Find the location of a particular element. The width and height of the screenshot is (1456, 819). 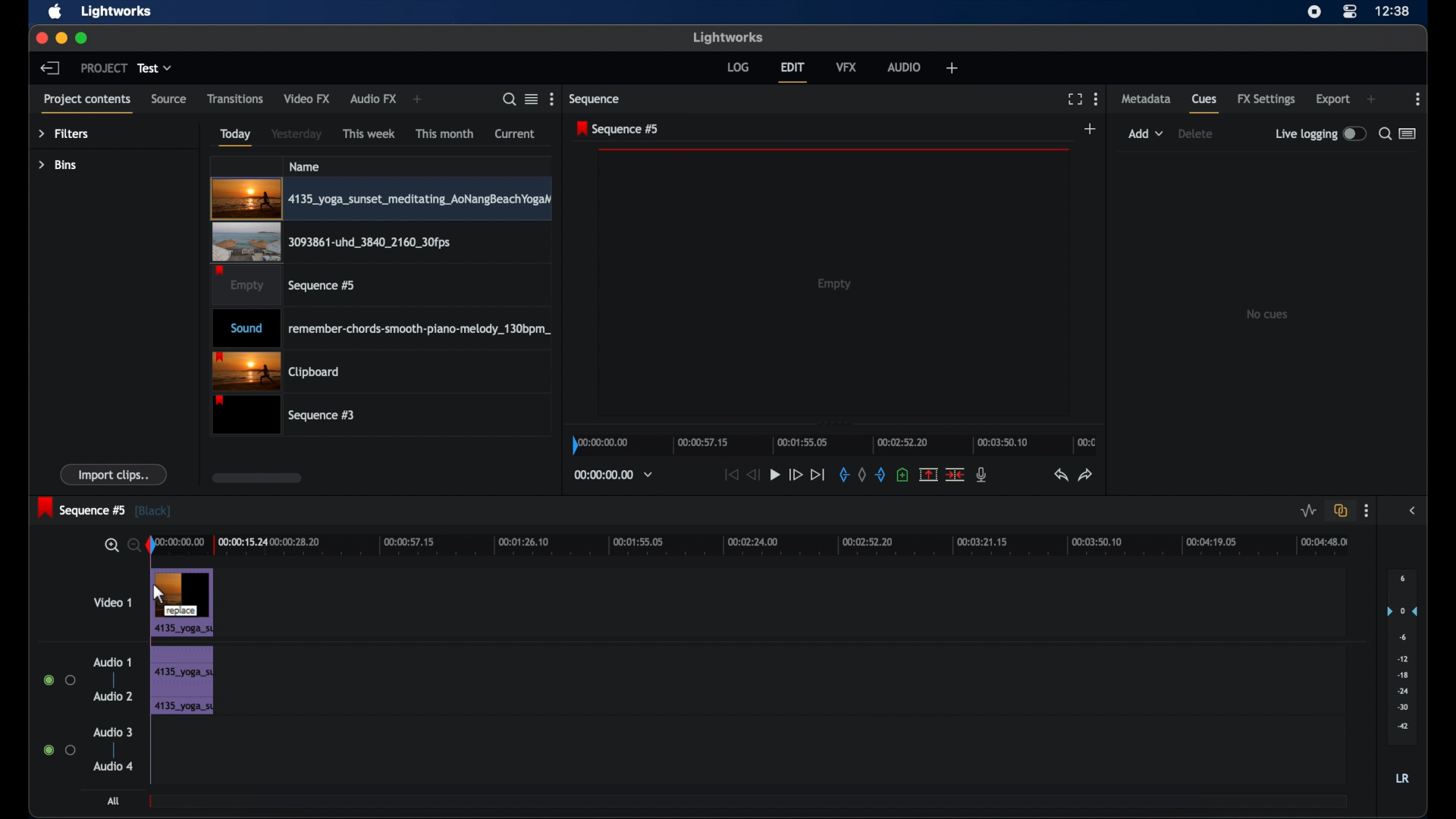

more options is located at coordinates (1097, 99).